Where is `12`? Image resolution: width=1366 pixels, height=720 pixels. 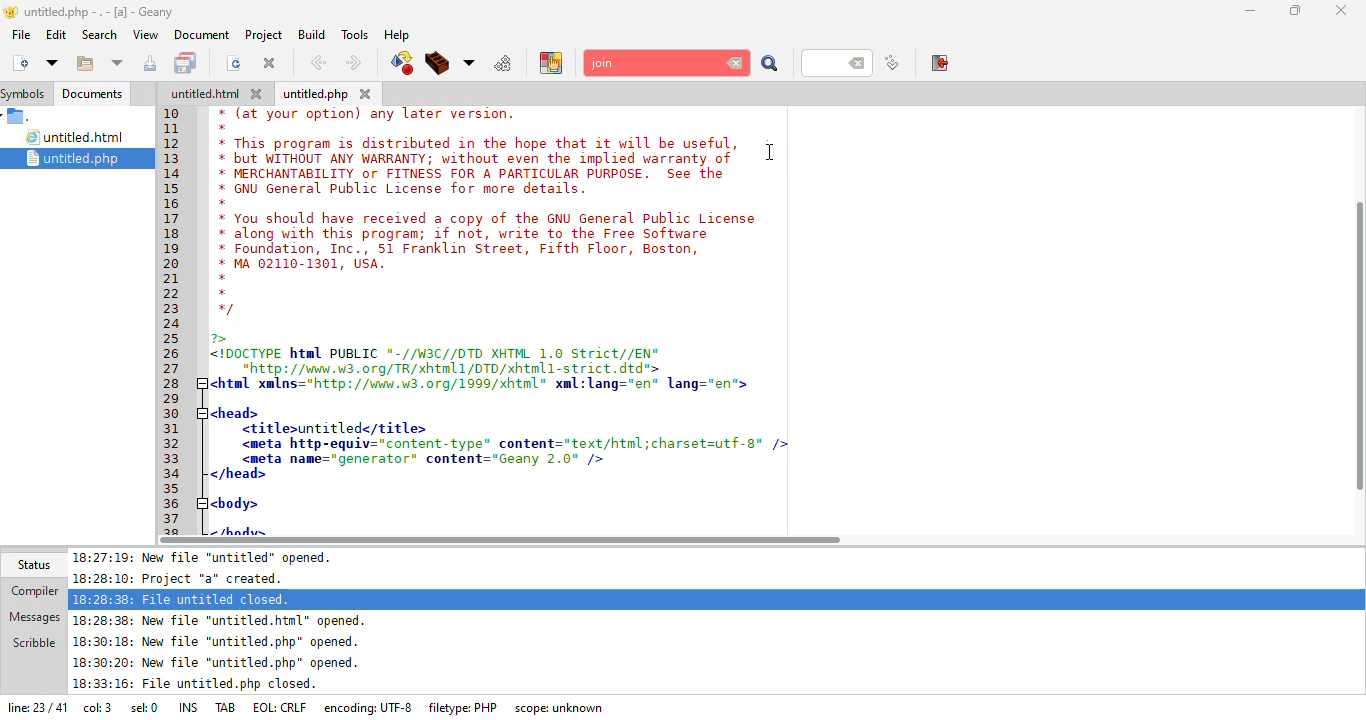 12 is located at coordinates (171, 143).